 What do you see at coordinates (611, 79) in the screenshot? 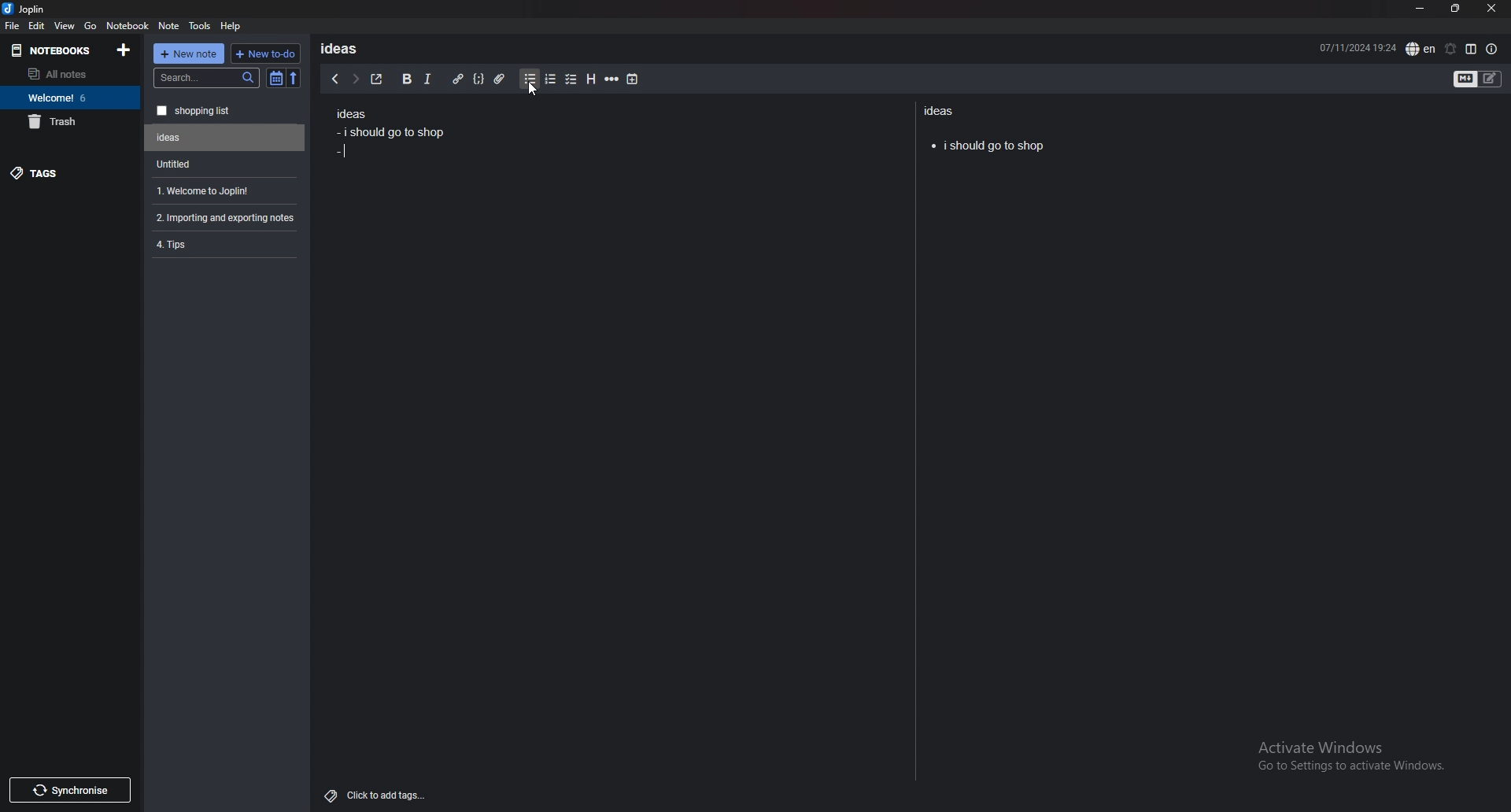
I see `horizontal rule` at bounding box center [611, 79].